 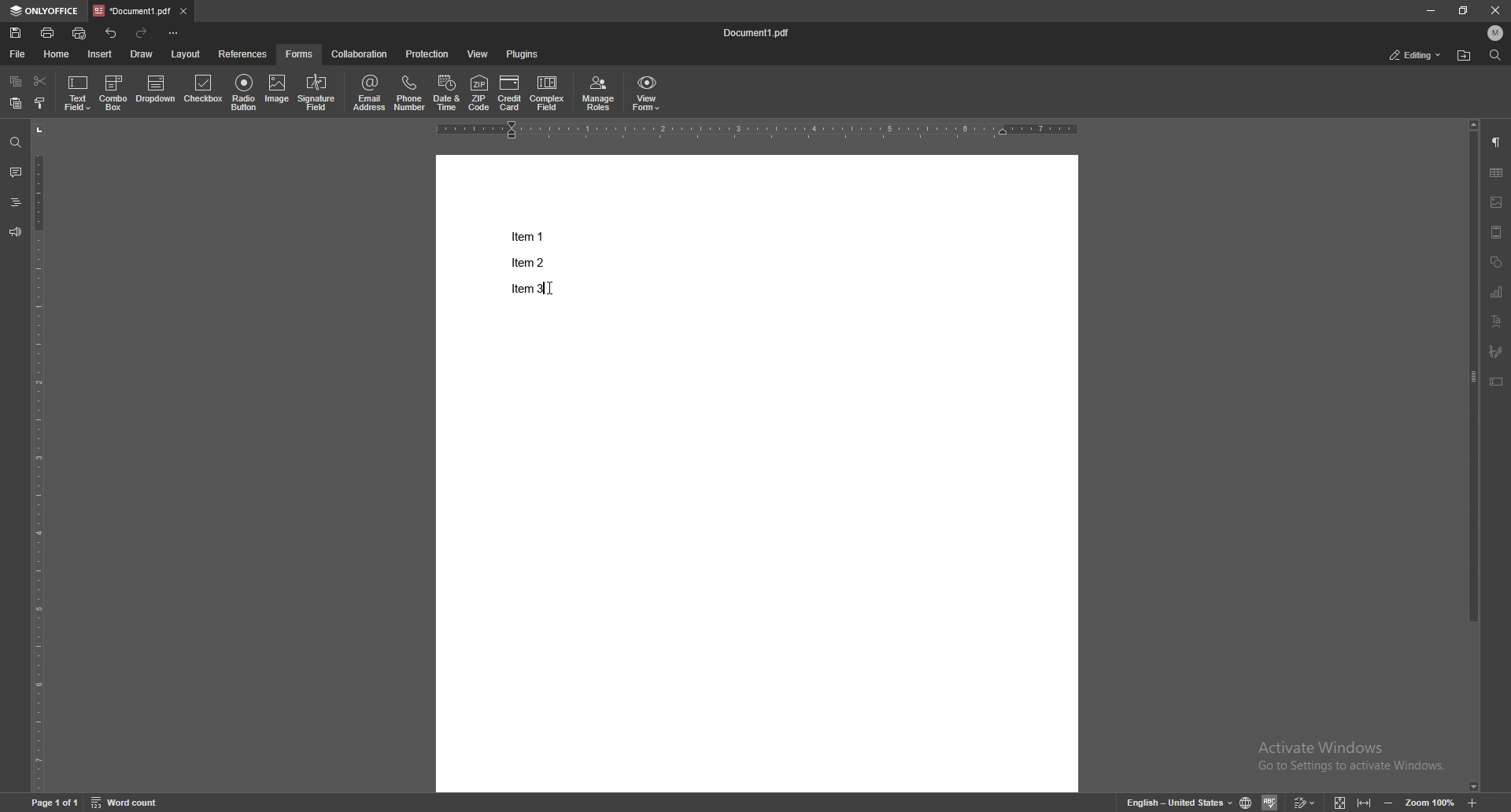 I want to click on redo, so click(x=142, y=33).